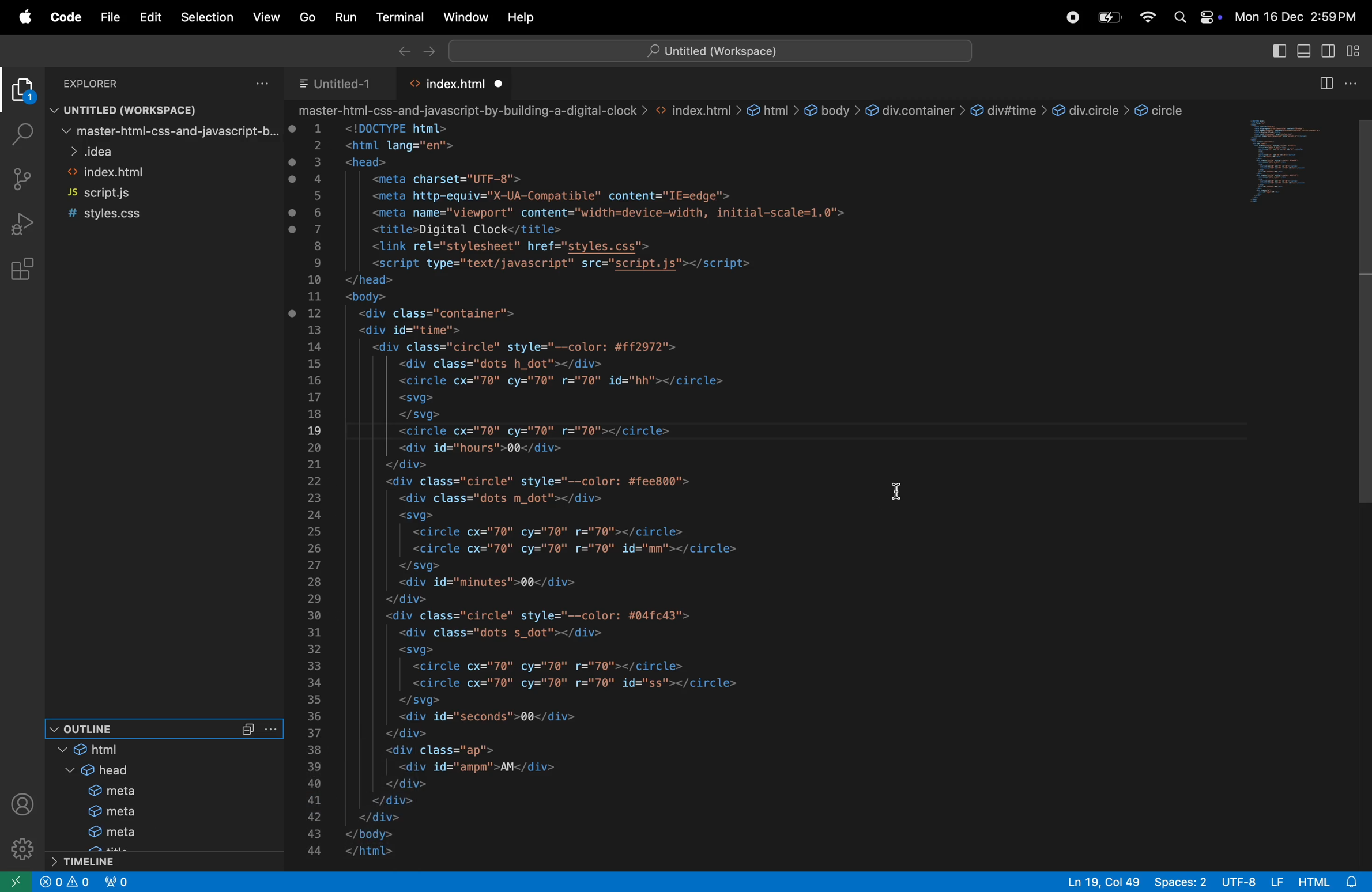 Image resolution: width=1372 pixels, height=892 pixels. What do you see at coordinates (1209, 19) in the screenshot?
I see `apple widgets` at bounding box center [1209, 19].